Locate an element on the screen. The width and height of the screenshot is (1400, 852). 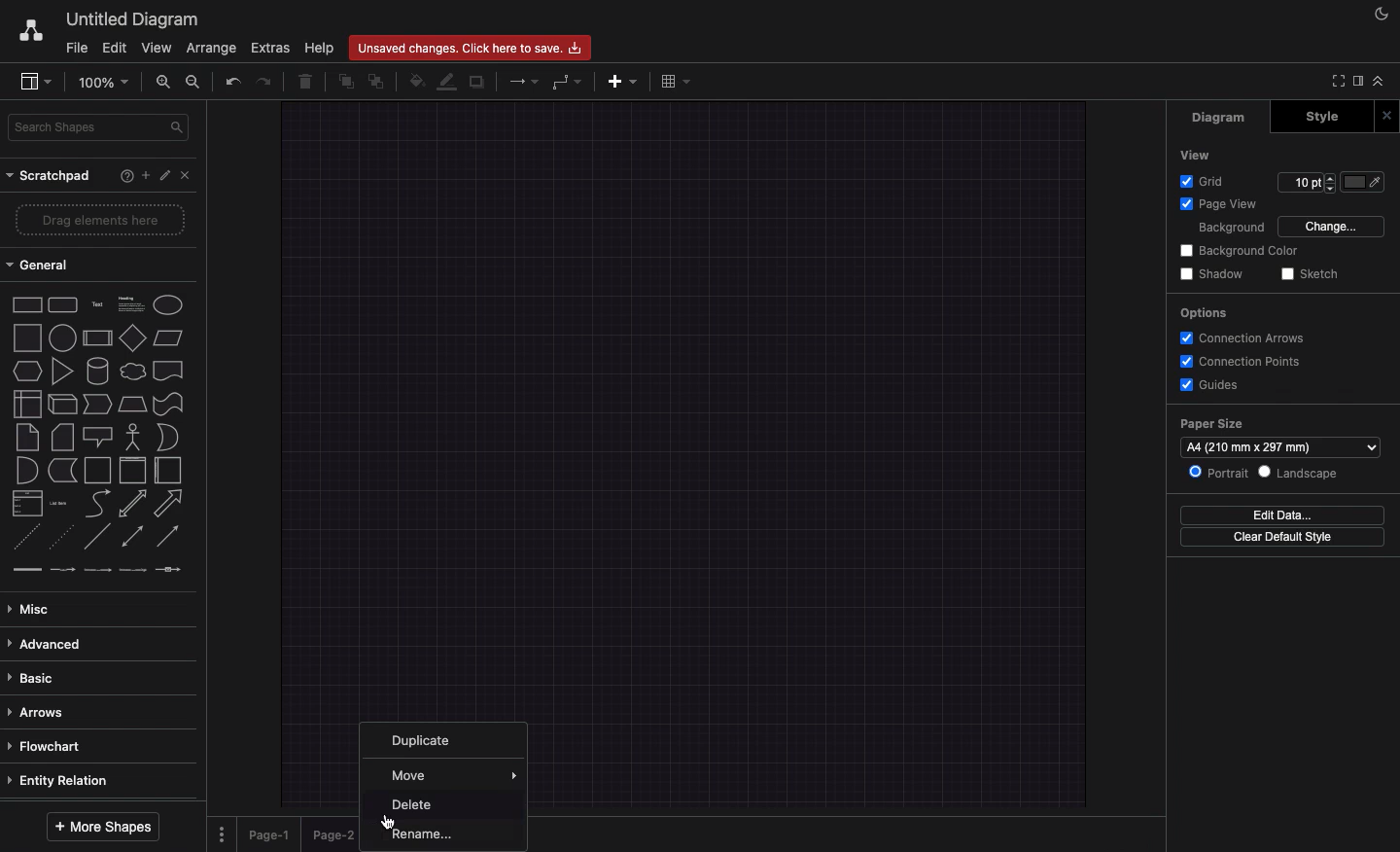
Options is located at coordinates (1204, 312).